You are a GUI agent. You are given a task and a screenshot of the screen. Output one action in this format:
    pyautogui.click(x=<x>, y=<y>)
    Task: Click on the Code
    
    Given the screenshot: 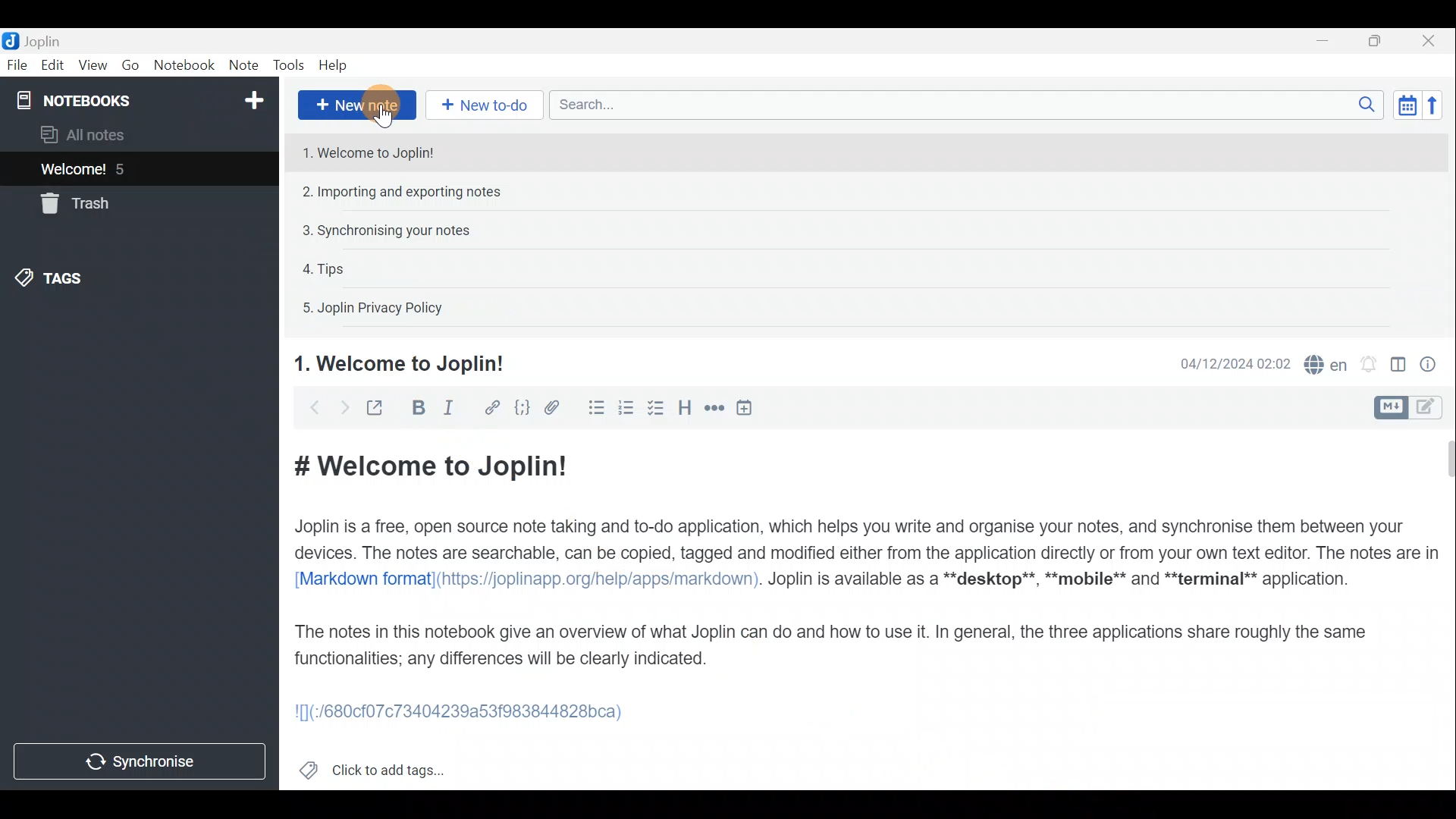 What is the action you would take?
    pyautogui.click(x=524, y=410)
    